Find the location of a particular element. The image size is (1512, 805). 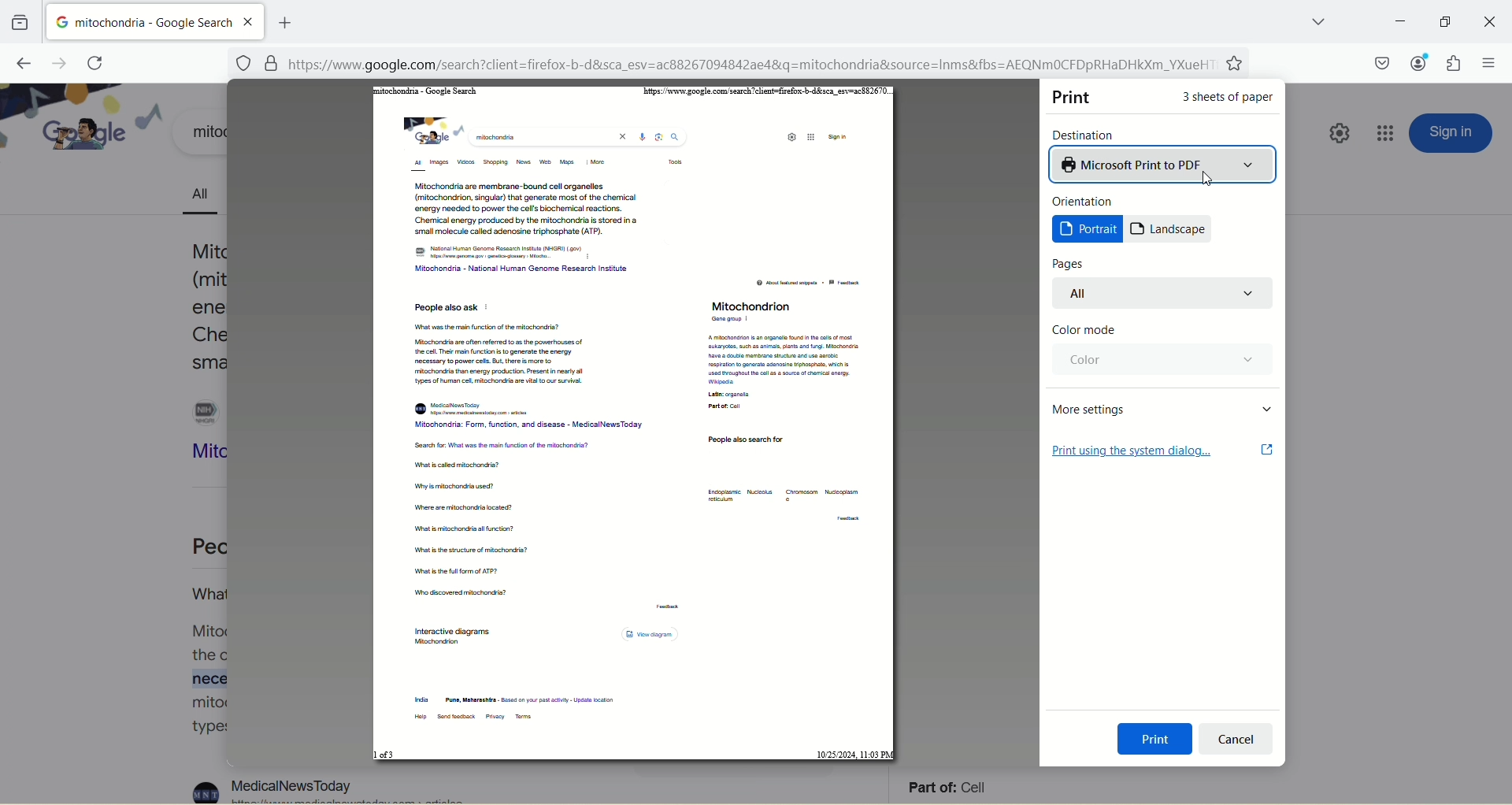

save to pocket is located at coordinates (1381, 63).